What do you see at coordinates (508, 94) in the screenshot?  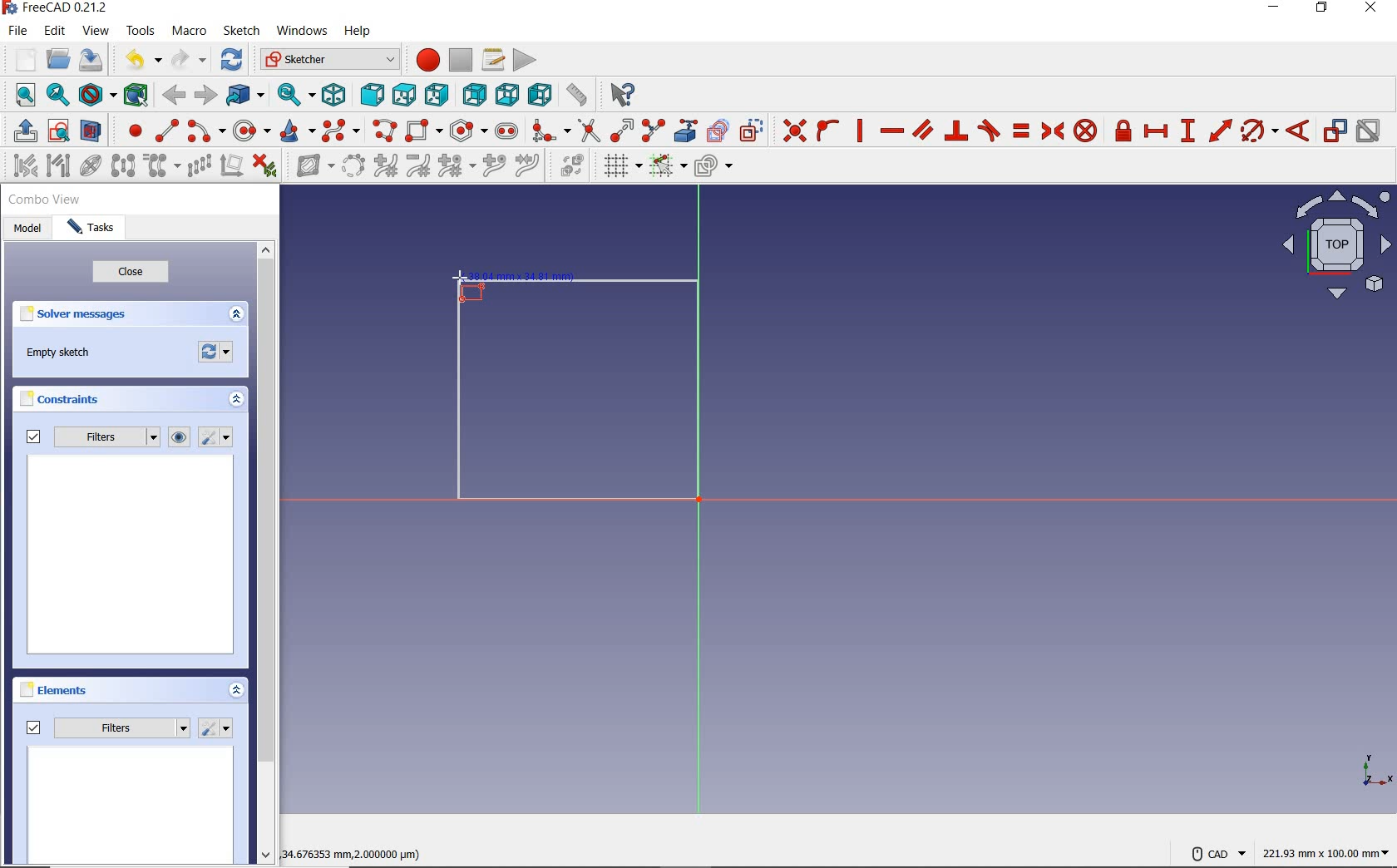 I see `bottom` at bounding box center [508, 94].